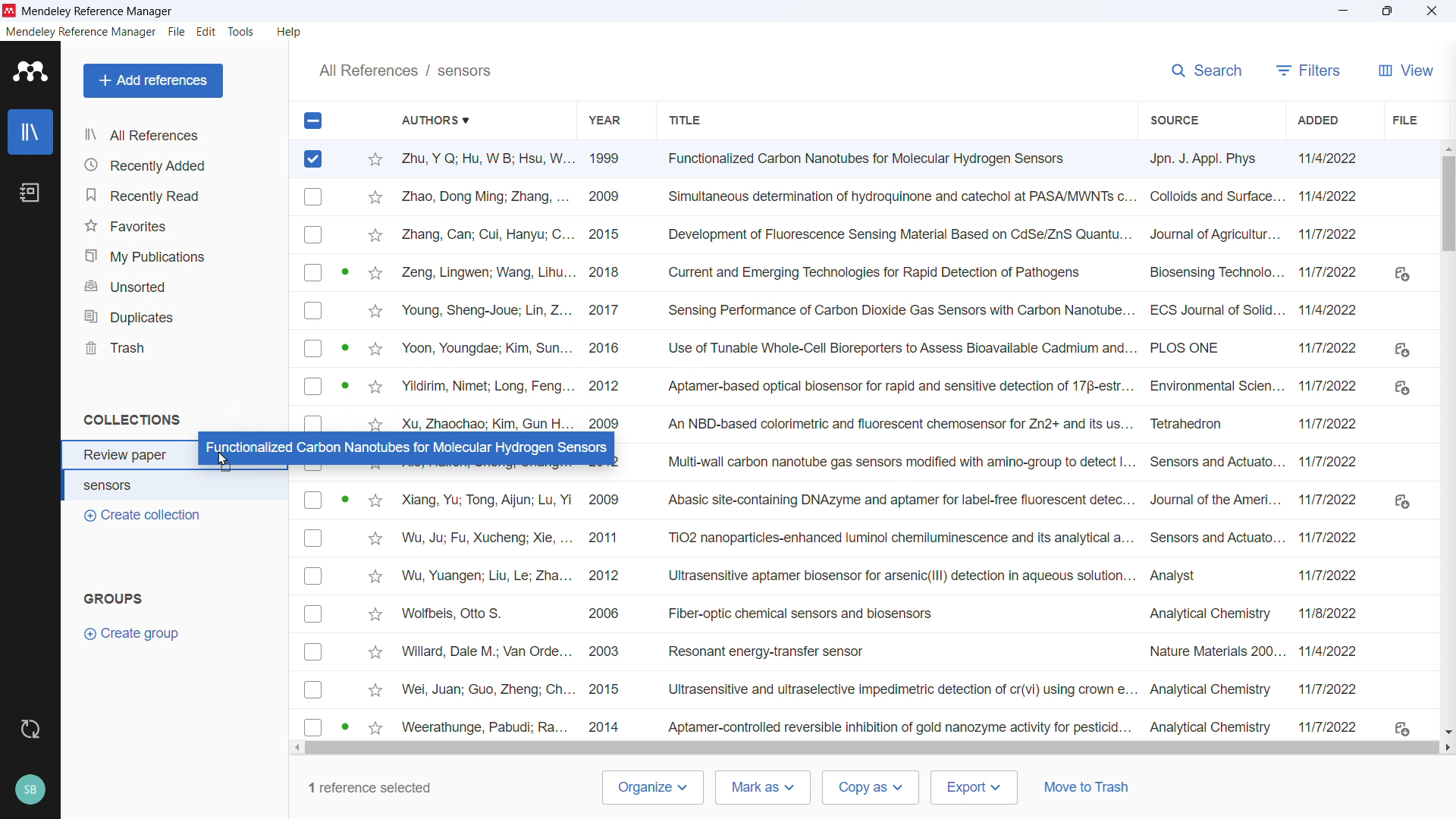 This screenshot has height=819, width=1456. I want to click on PDF available, so click(344, 497).